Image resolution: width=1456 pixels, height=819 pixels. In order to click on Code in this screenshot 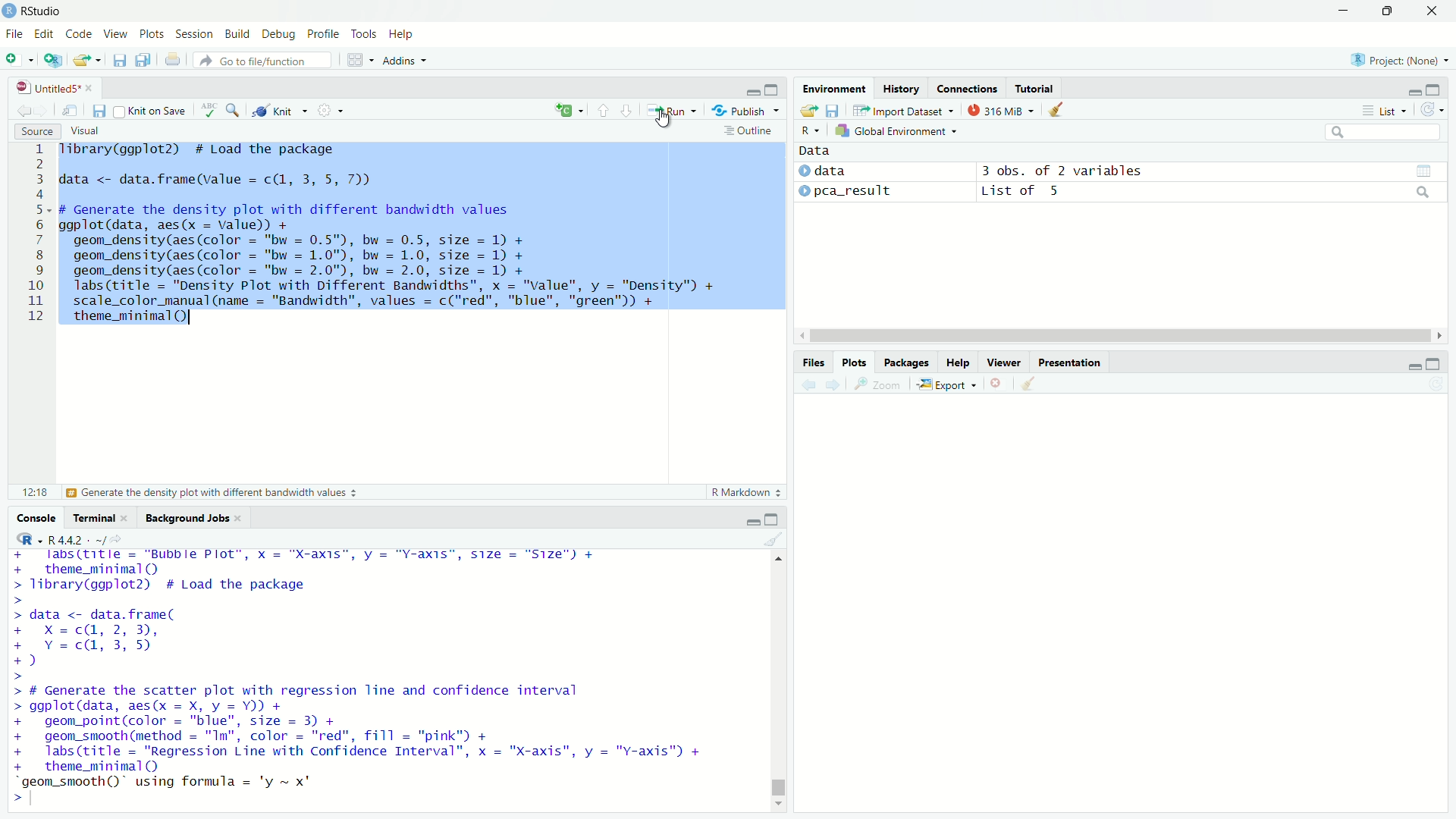, I will do `click(77, 33)`.